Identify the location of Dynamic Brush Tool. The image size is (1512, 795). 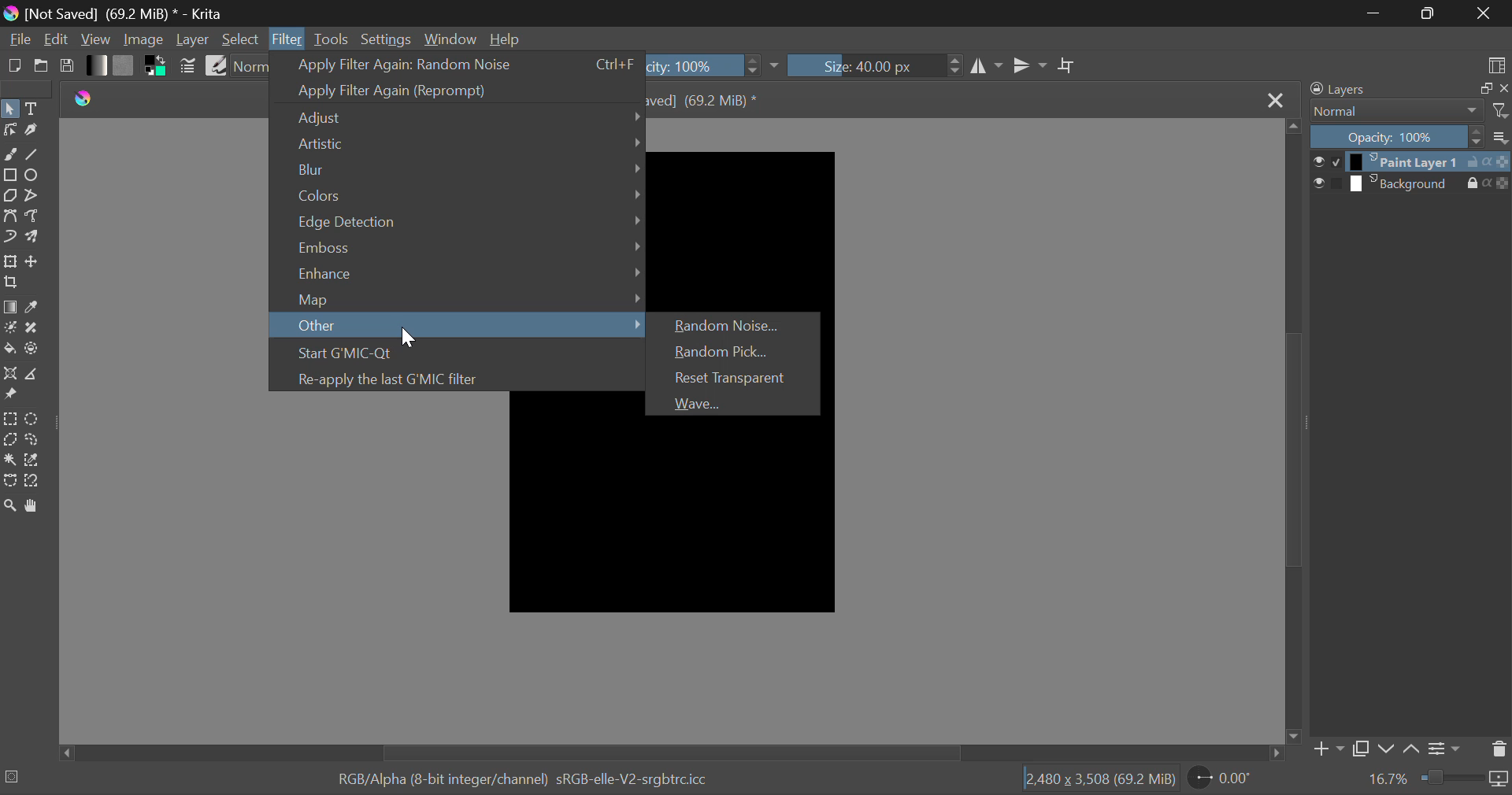
(9, 238).